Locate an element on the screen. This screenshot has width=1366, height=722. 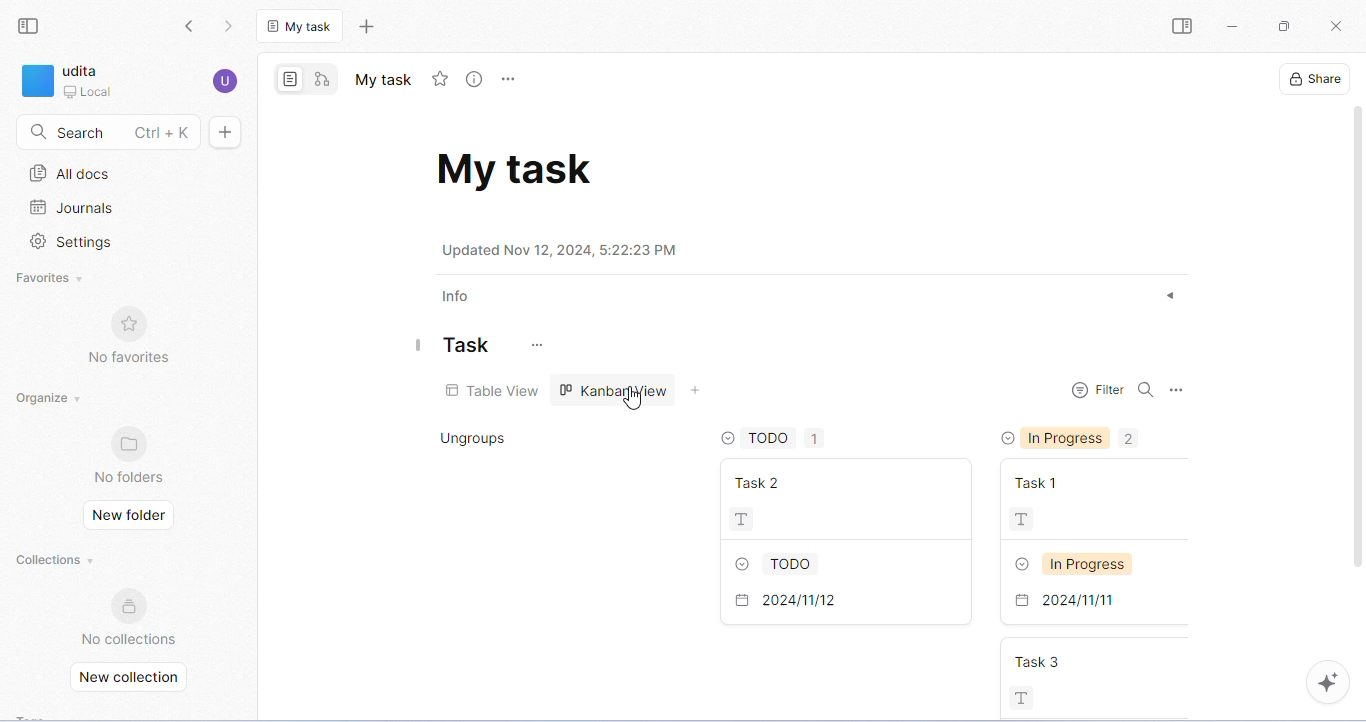
cursor movement is located at coordinates (639, 398).